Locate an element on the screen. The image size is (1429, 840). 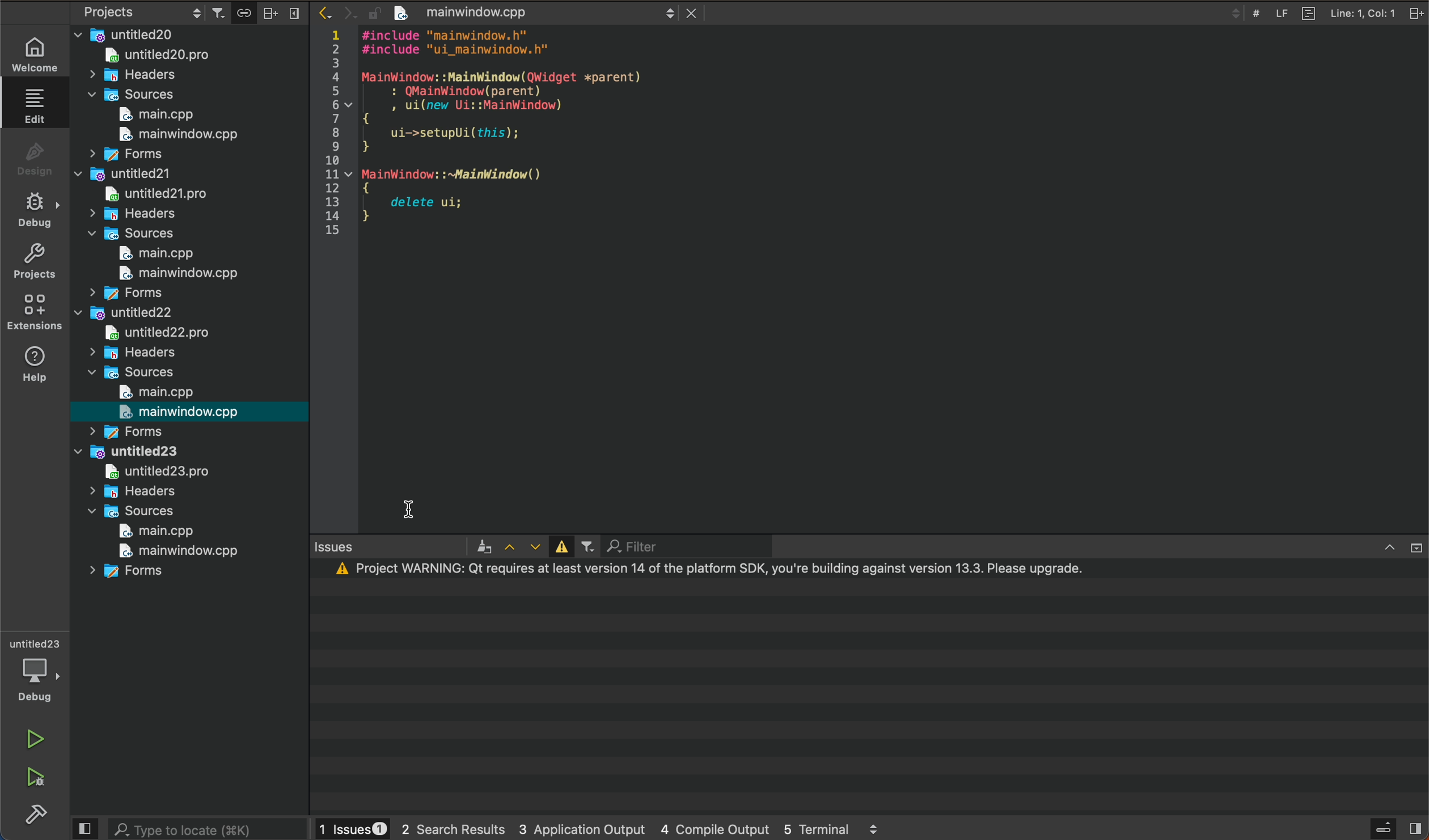
welcome is located at coordinates (34, 51).